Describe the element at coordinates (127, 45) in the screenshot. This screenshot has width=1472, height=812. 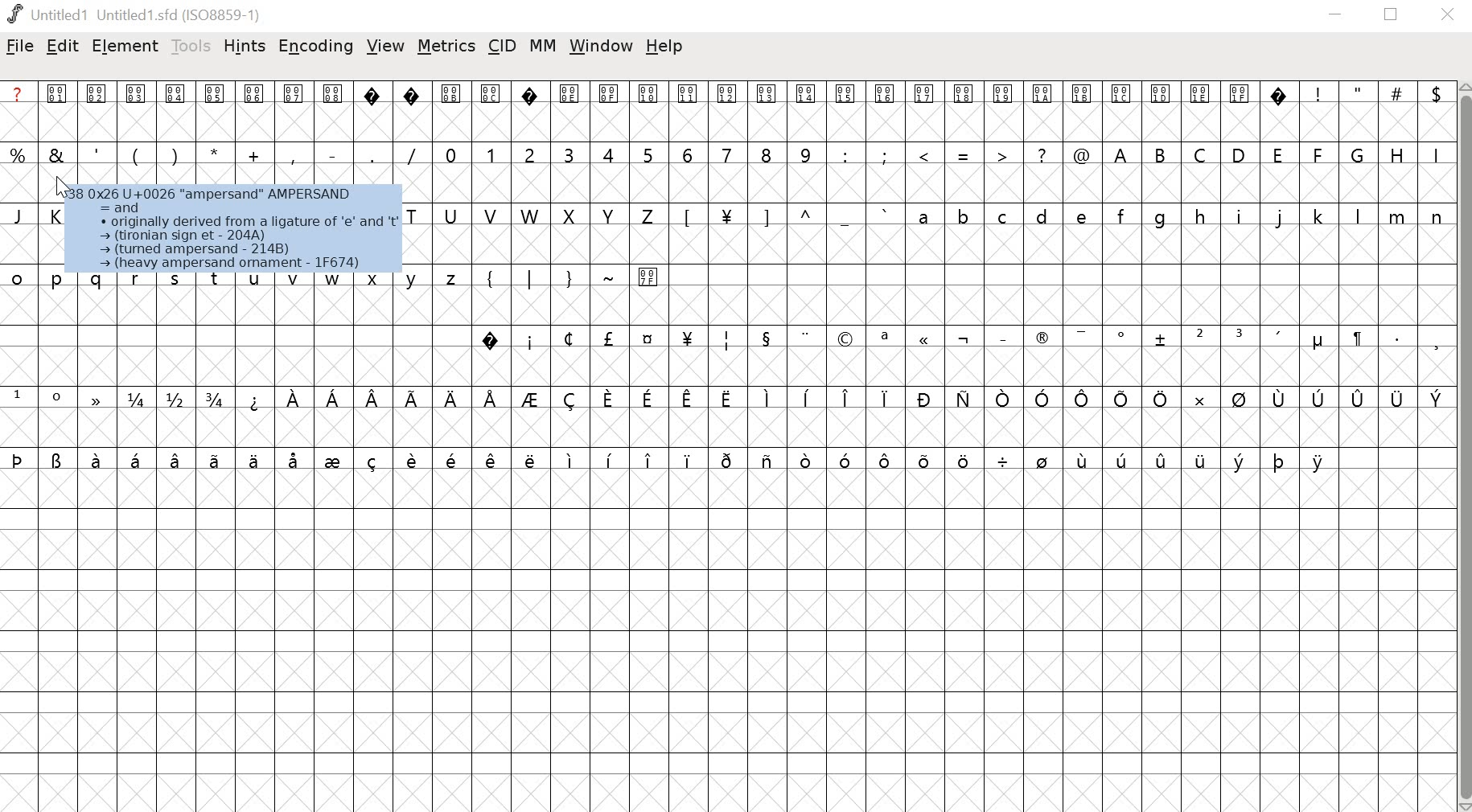
I see `element` at that location.